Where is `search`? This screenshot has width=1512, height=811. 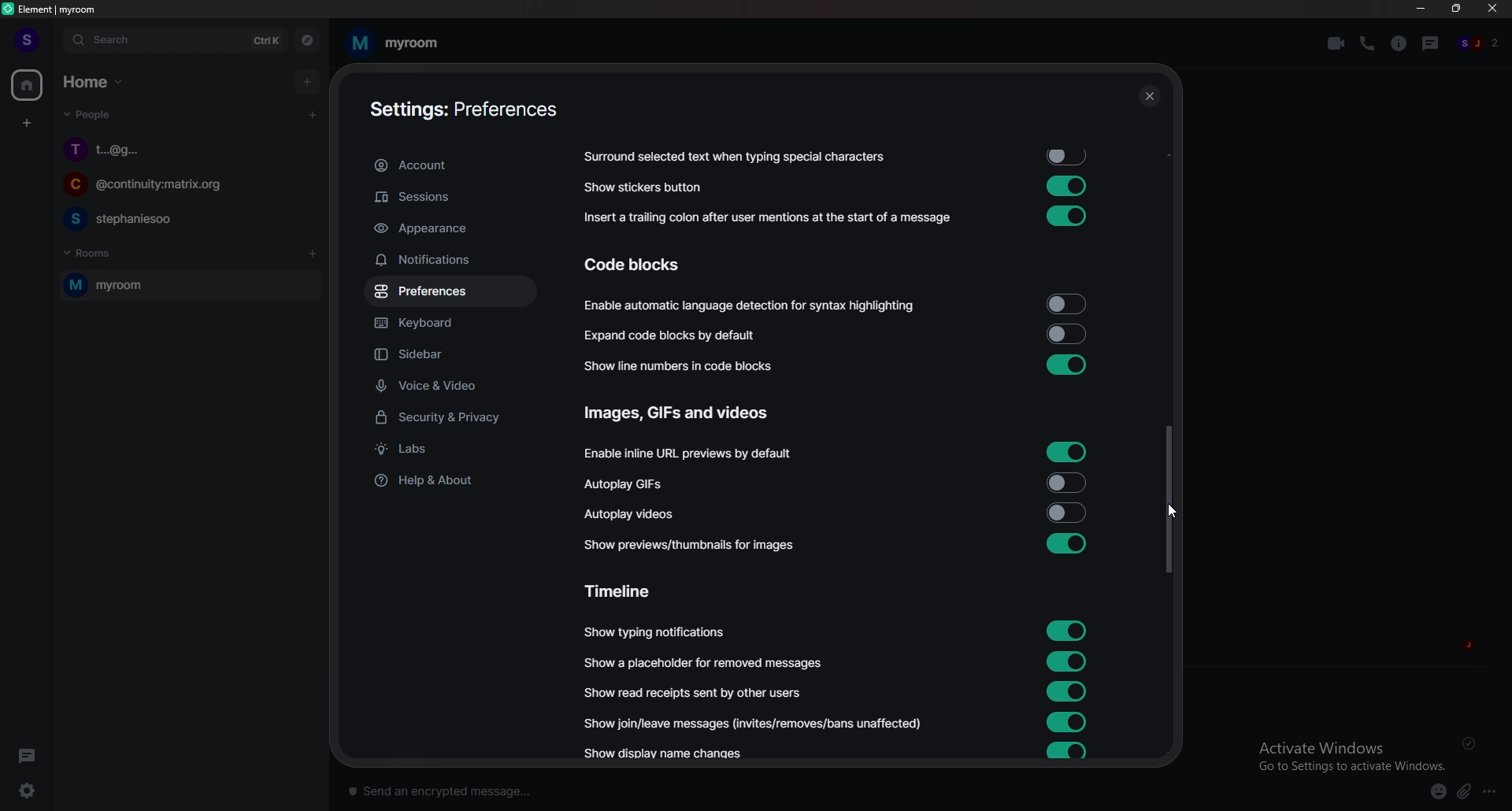
search is located at coordinates (174, 40).